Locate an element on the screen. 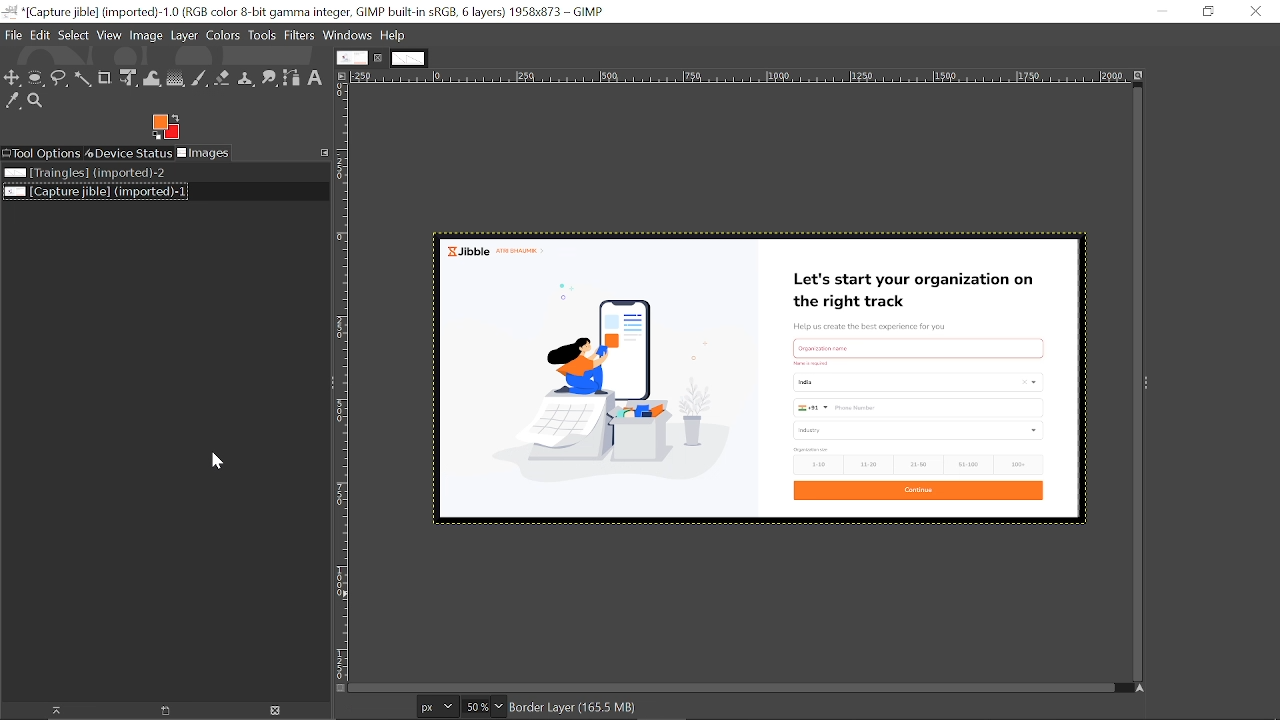  Continue is located at coordinates (921, 491).